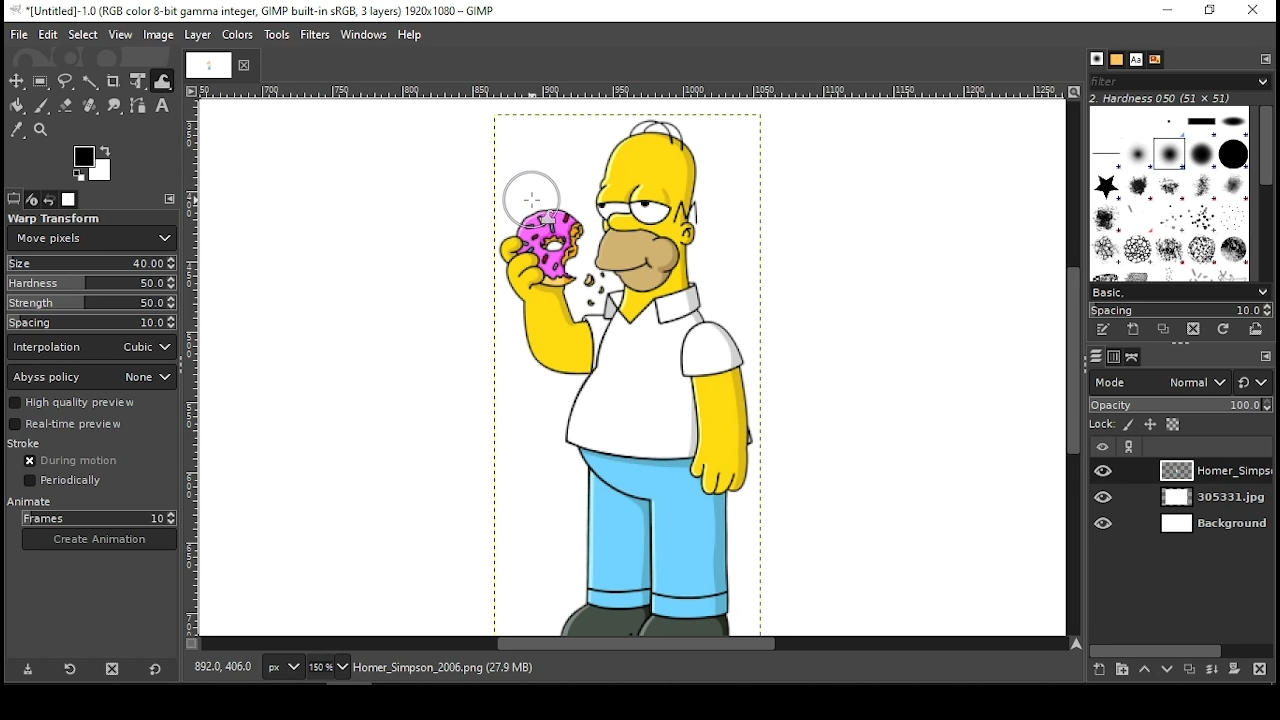  I want to click on periodically, so click(64, 480).